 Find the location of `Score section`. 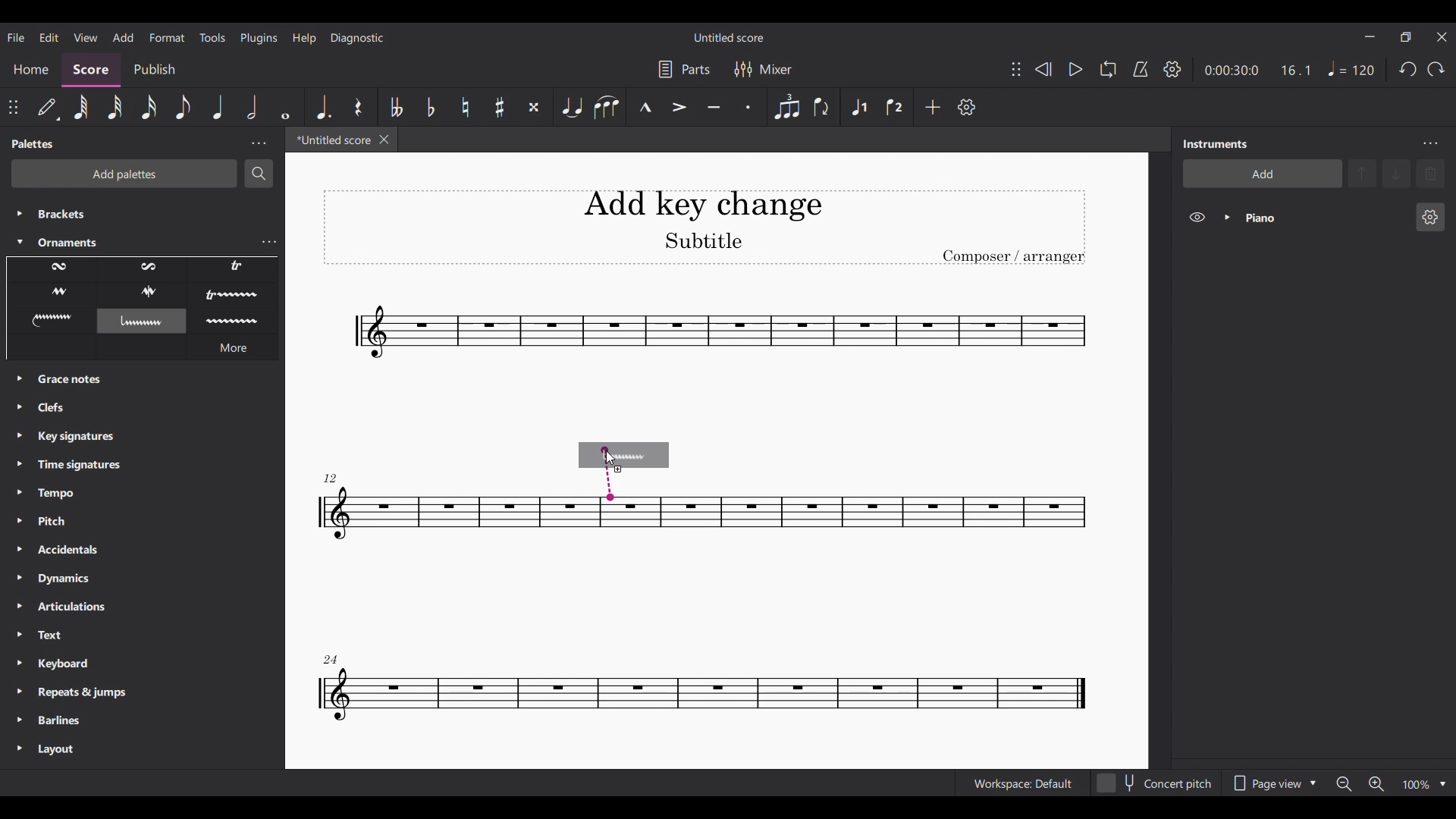

Score section is located at coordinates (90, 71).